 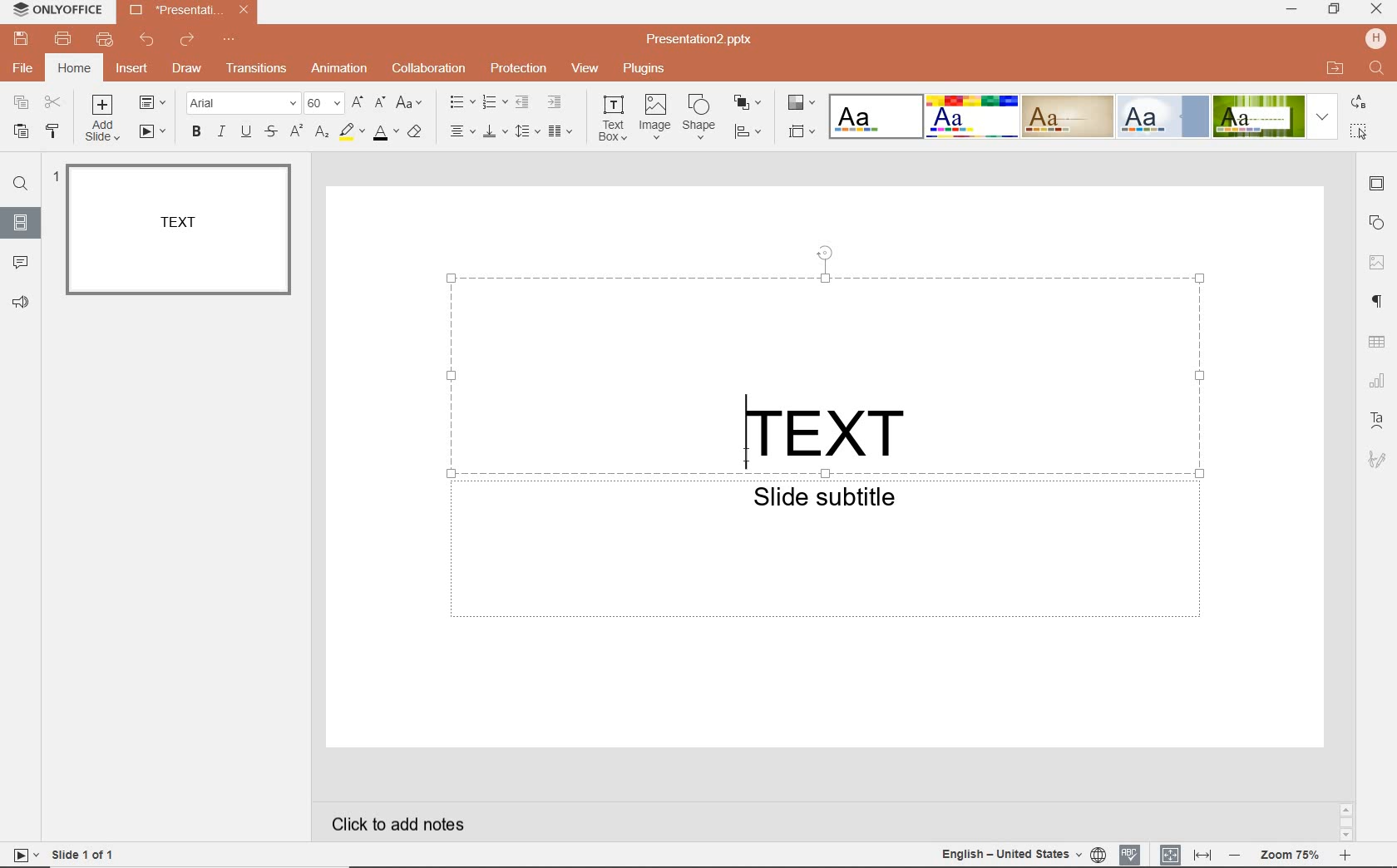 I want to click on CHANGE SLIDE LAYOUT, so click(x=156, y=104).